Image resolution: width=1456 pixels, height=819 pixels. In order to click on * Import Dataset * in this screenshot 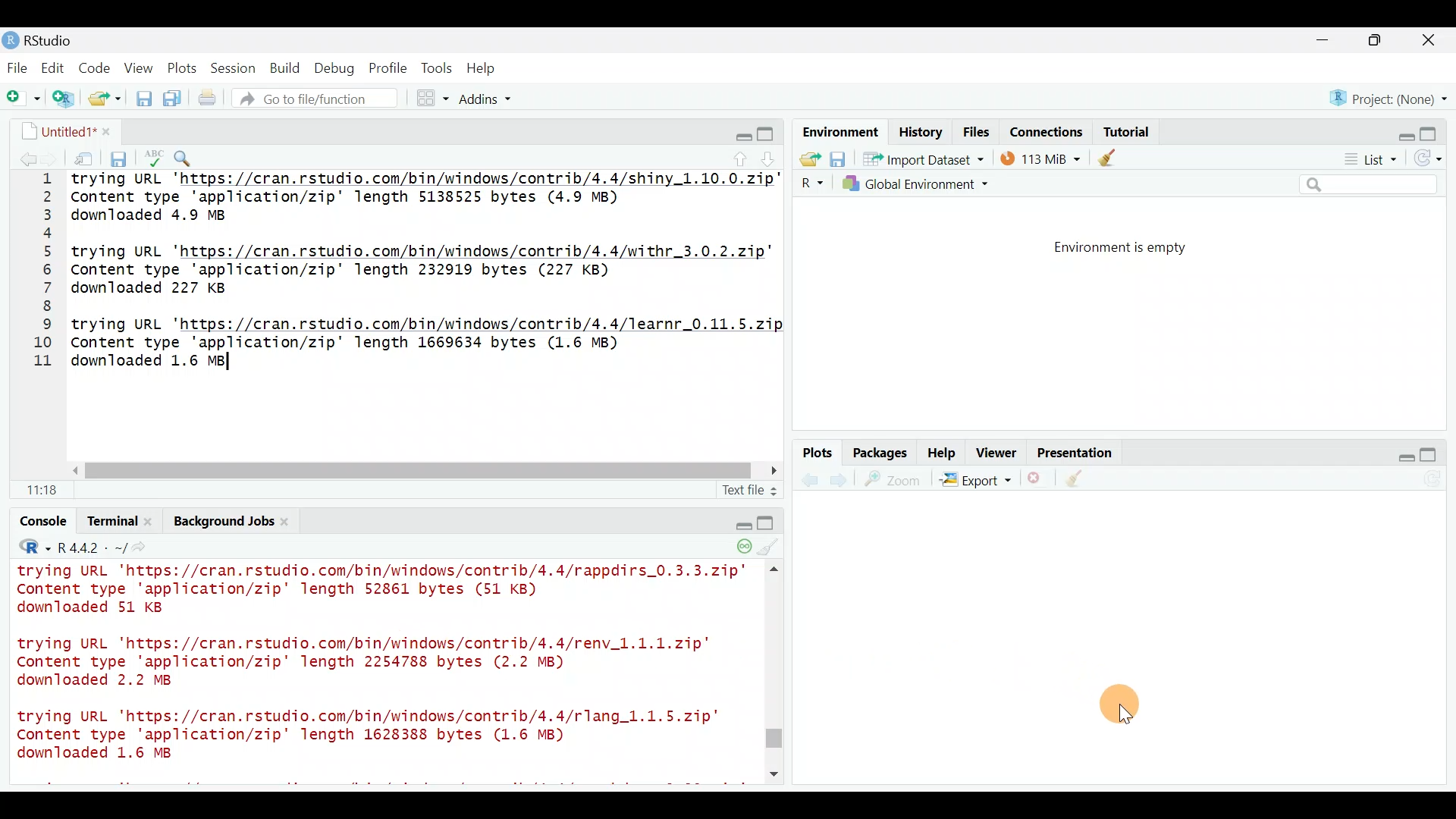, I will do `click(919, 159)`.